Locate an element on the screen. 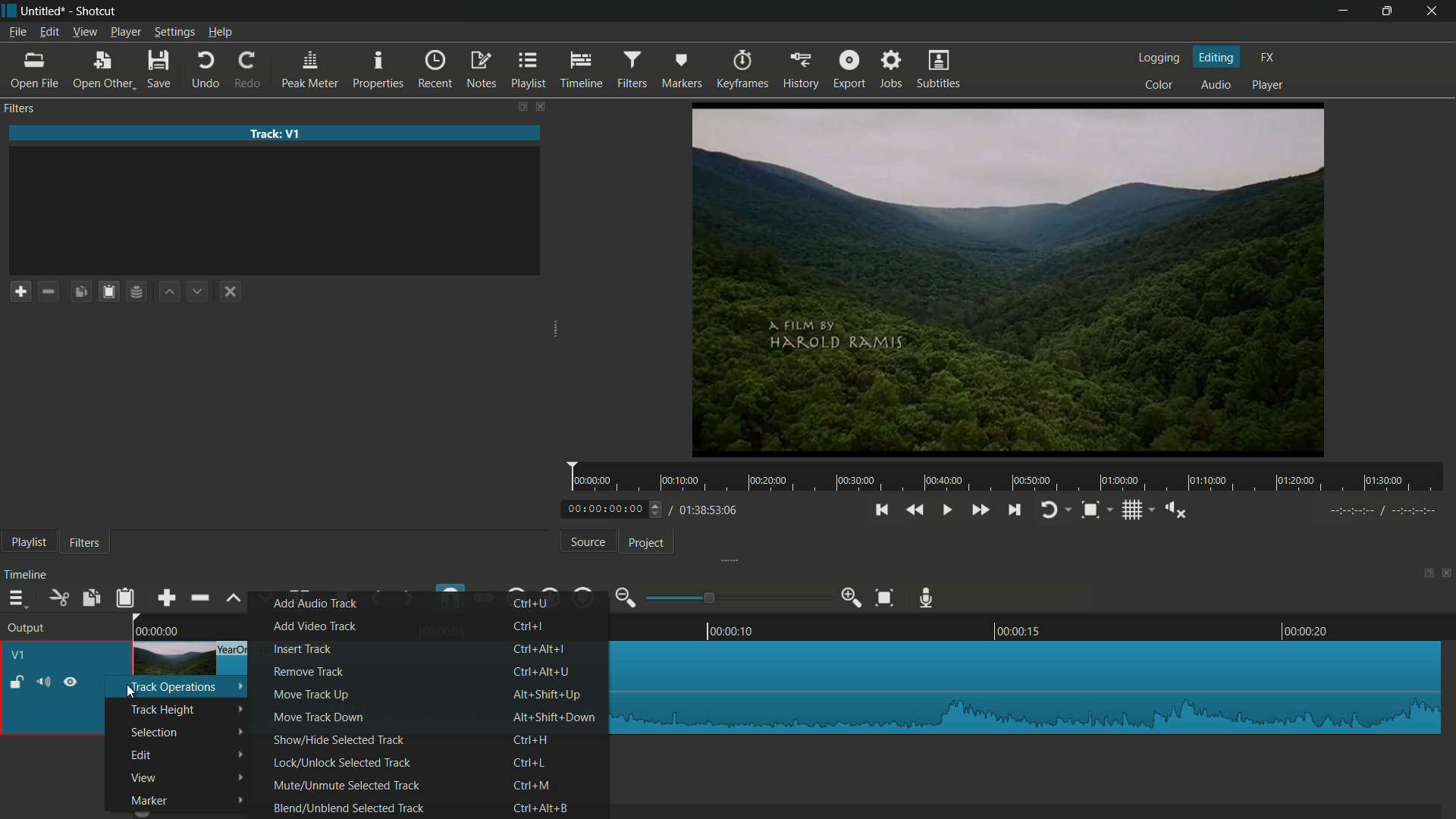 This screenshot has width=1456, height=819. hide is located at coordinates (70, 682).